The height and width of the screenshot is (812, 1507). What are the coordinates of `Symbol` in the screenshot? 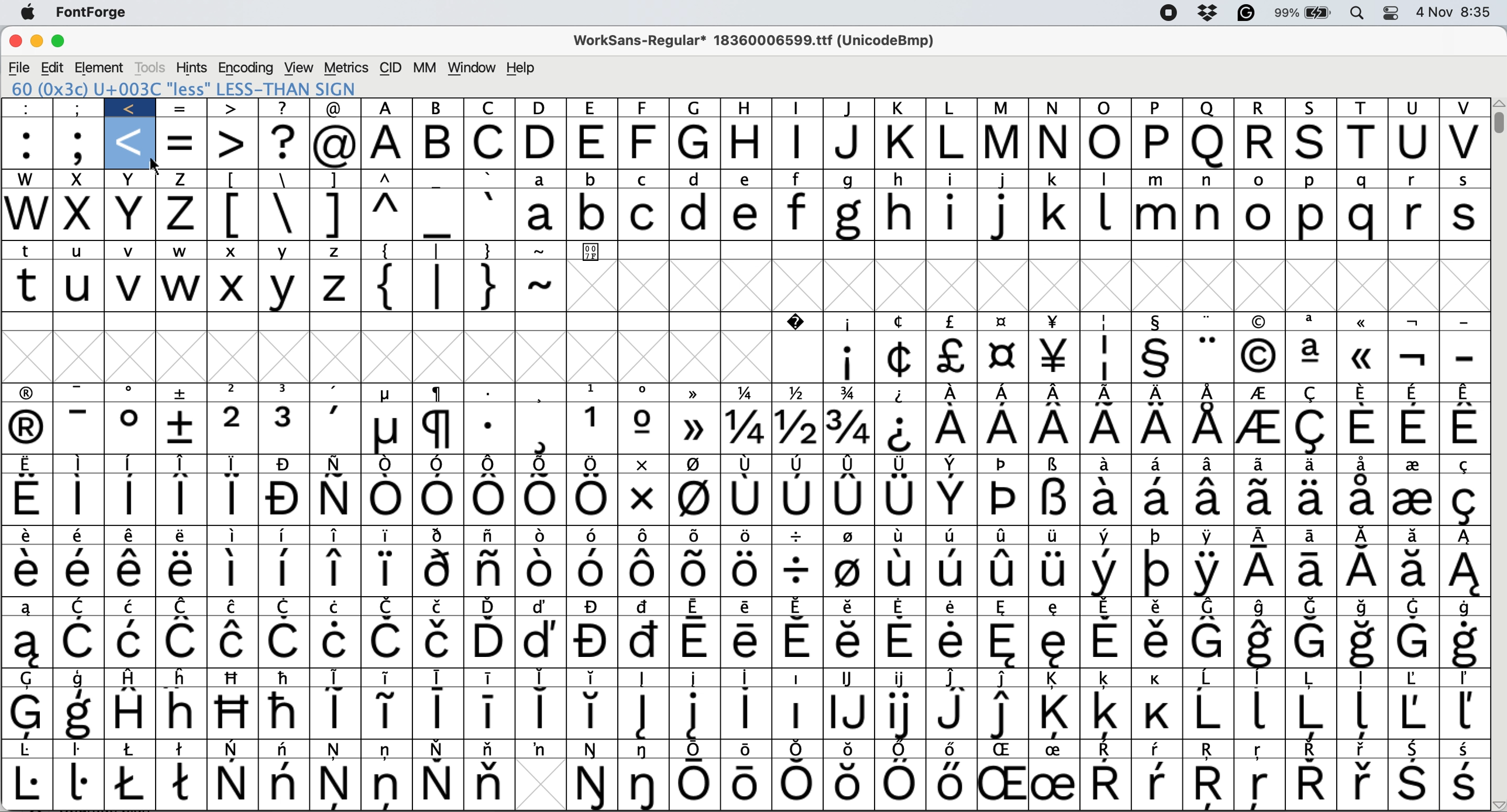 It's located at (288, 607).